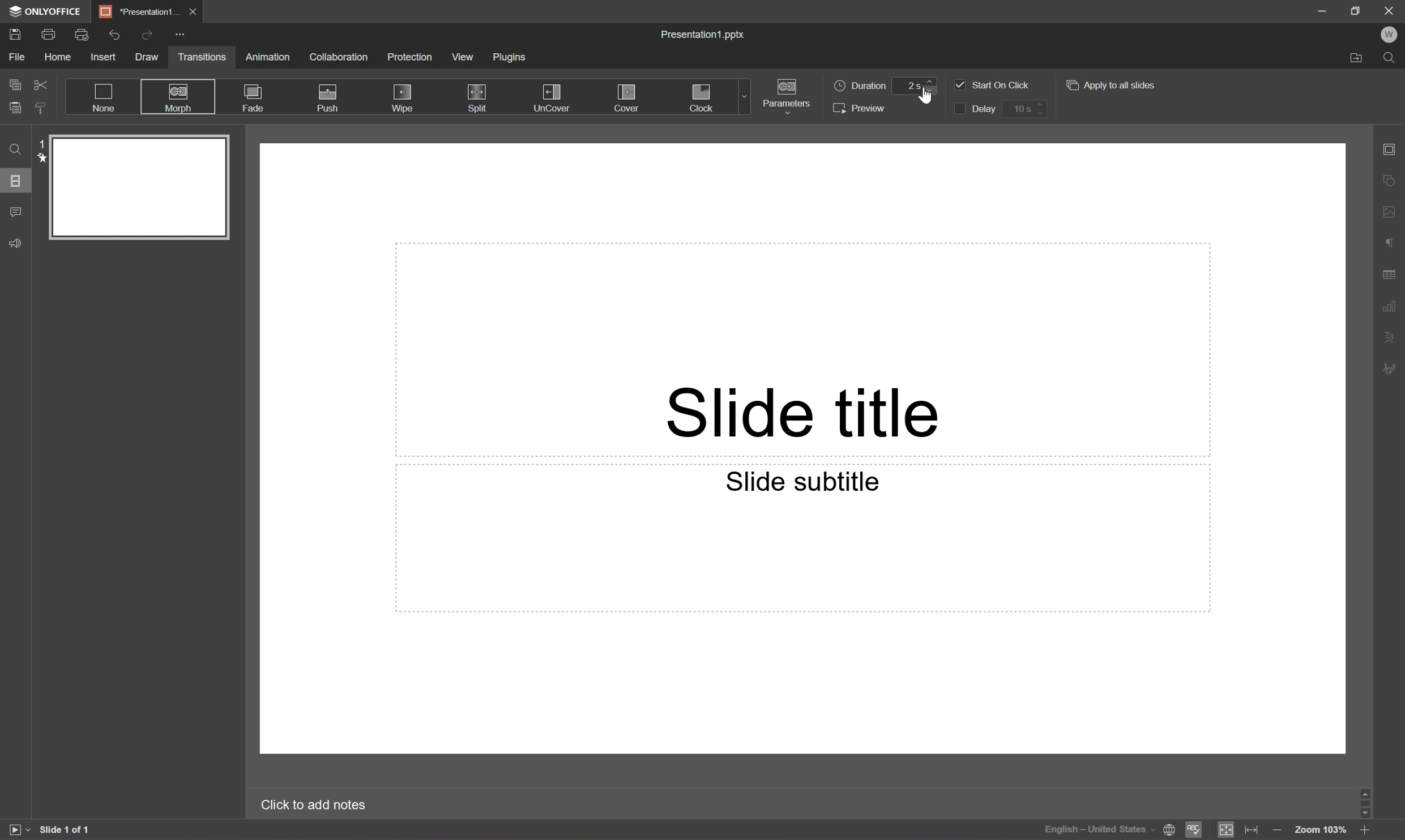 The image size is (1405, 840). Describe the element at coordinates (625, 98) in the screenshot. I see `Cover` at that location.